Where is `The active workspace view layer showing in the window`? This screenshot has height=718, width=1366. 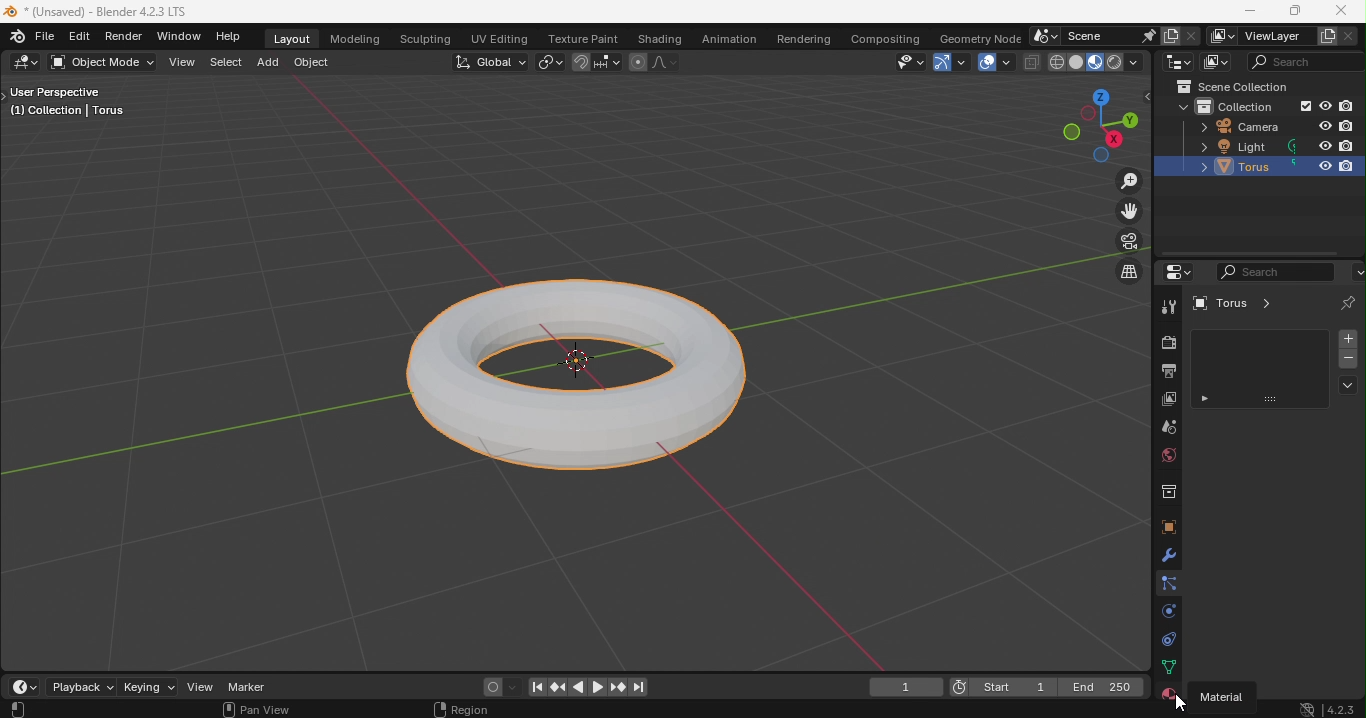 The active workspace view layer showing in the window is located at coordinates (1220, 36).